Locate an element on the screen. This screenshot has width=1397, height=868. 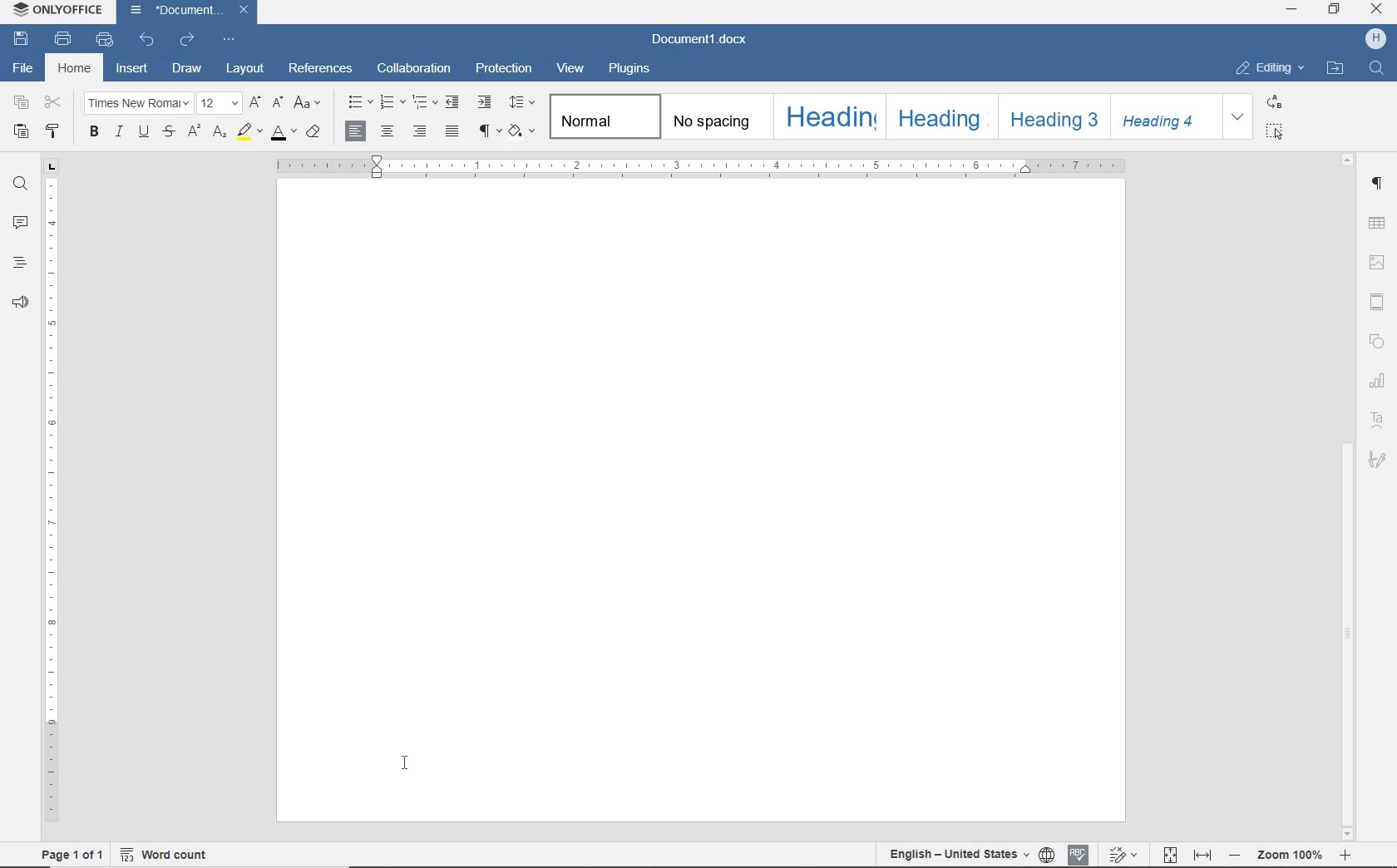
decrement font size is located at coordinates (277, 106).